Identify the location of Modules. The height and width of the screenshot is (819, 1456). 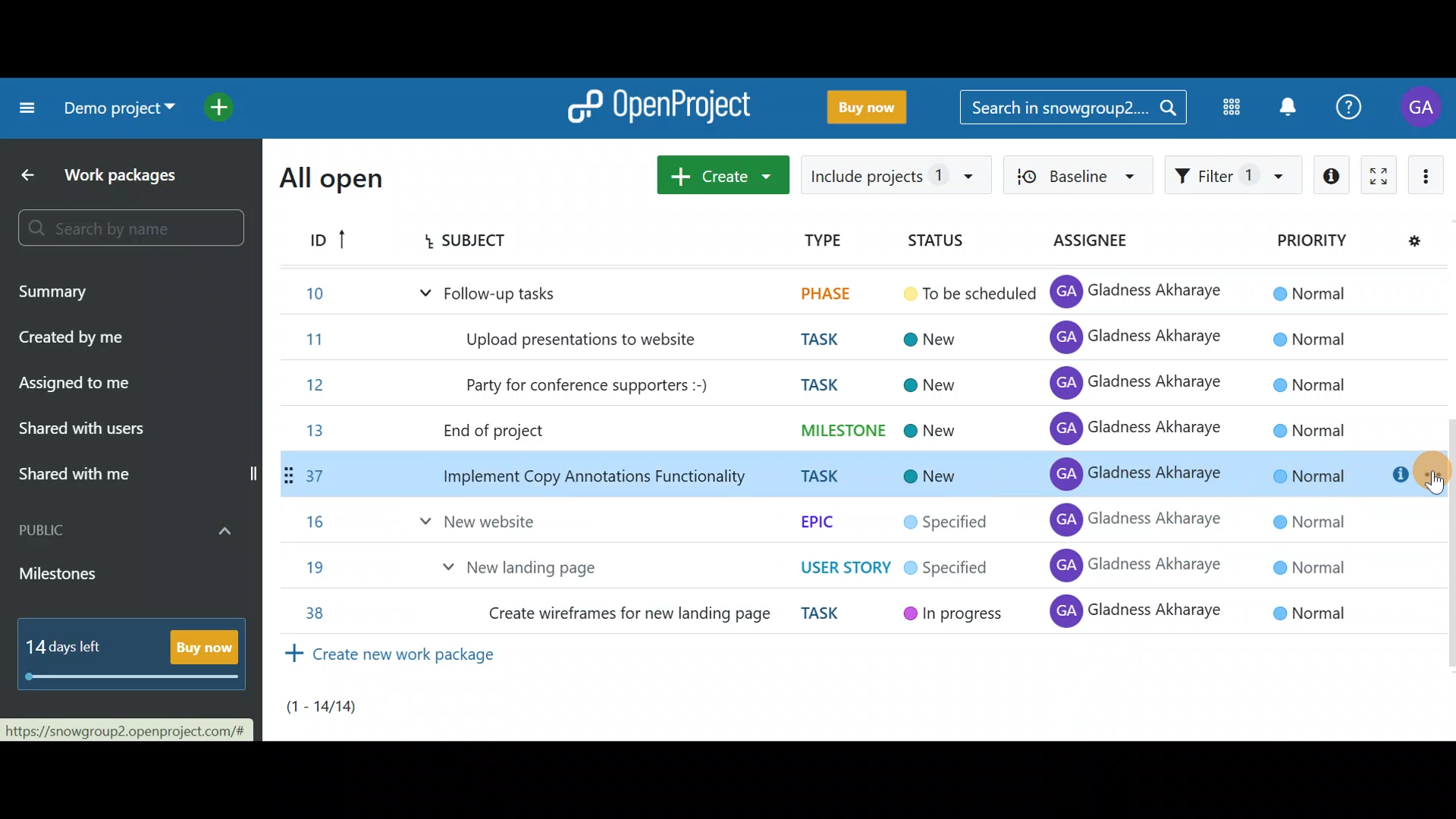
(1227, 110).